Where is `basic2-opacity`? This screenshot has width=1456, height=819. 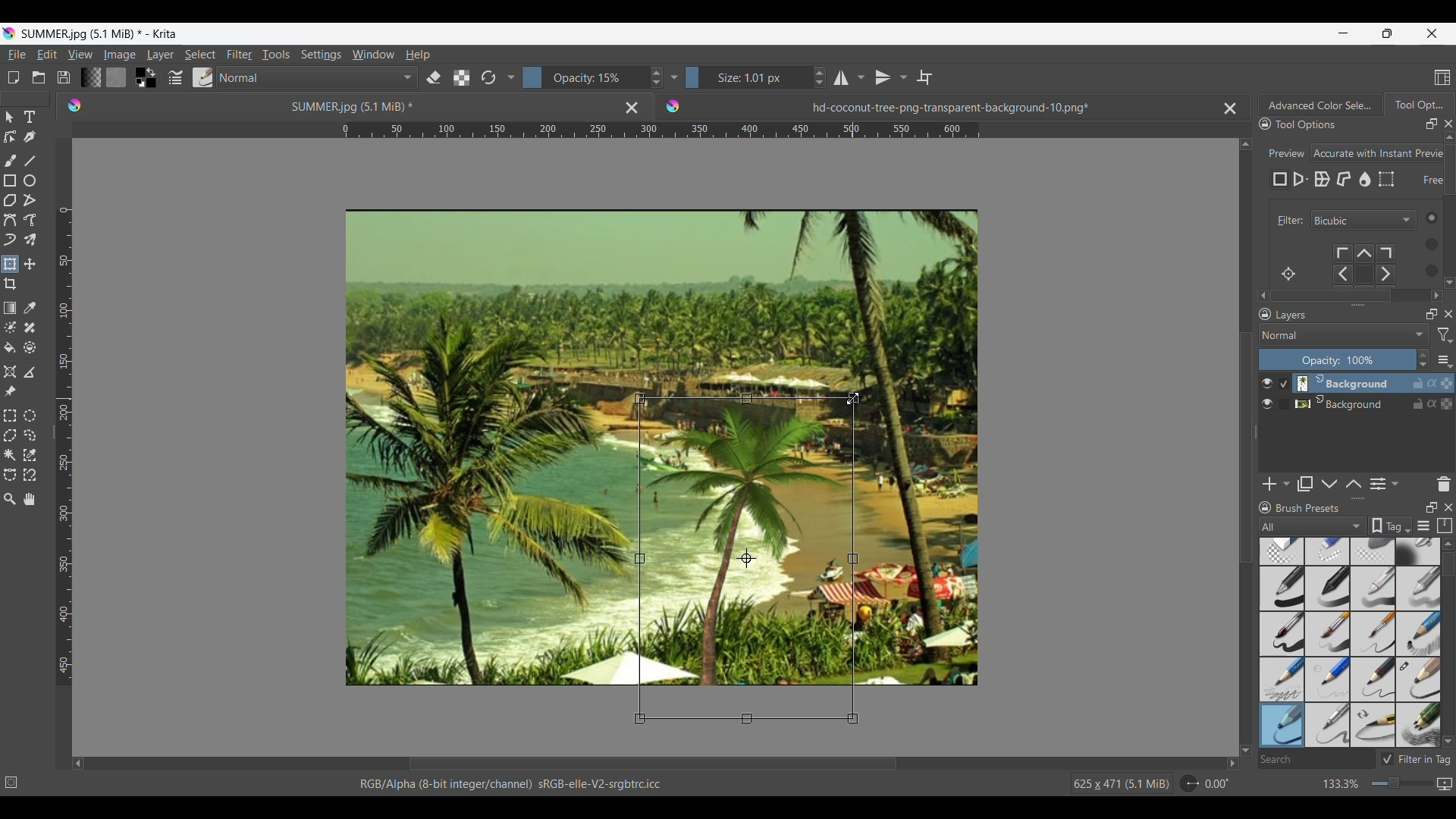 basic2-opacity is located at coordinates (1328, 588).